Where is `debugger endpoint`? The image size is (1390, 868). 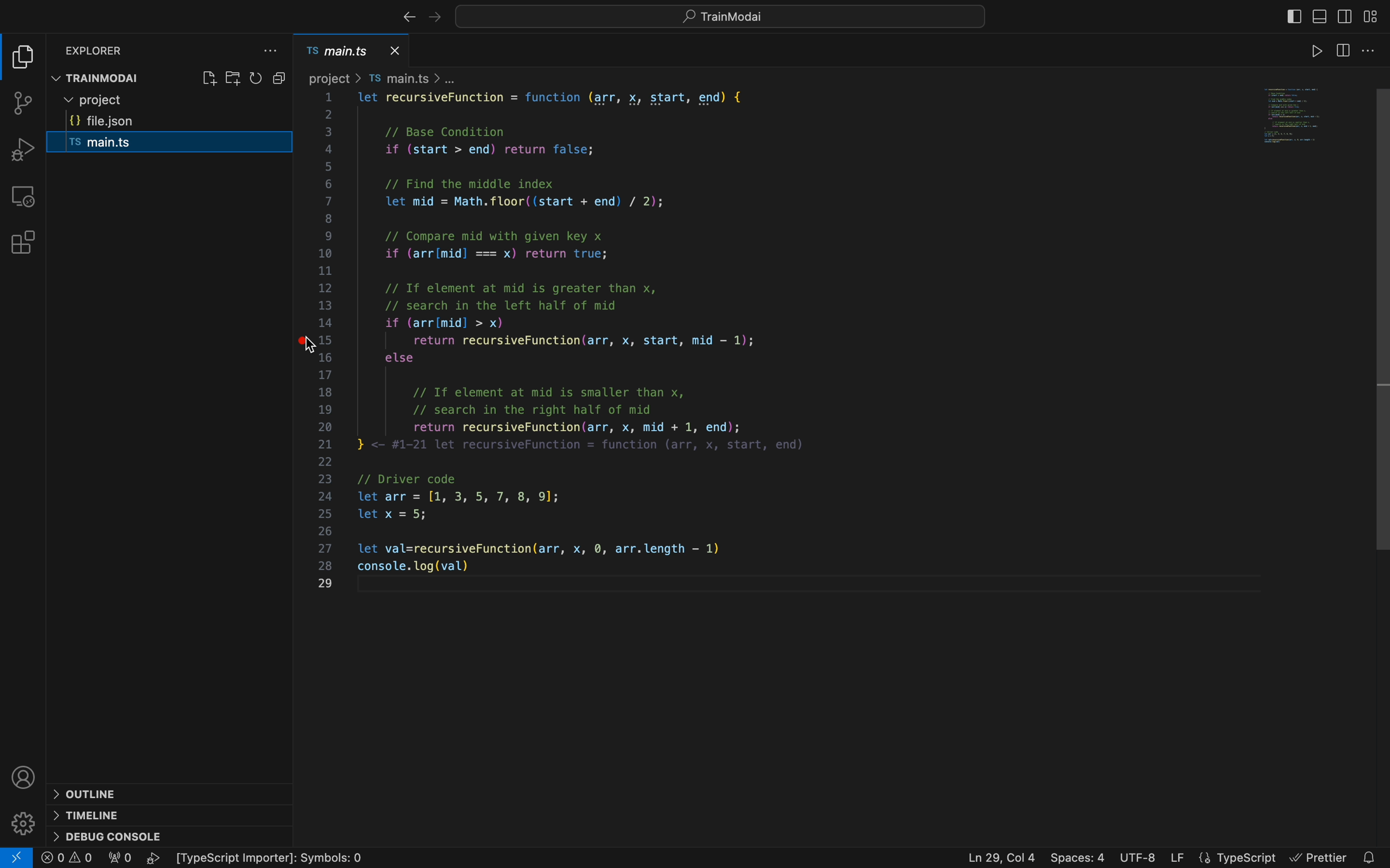
debugger endpoint is located at coordinates (306, 339).